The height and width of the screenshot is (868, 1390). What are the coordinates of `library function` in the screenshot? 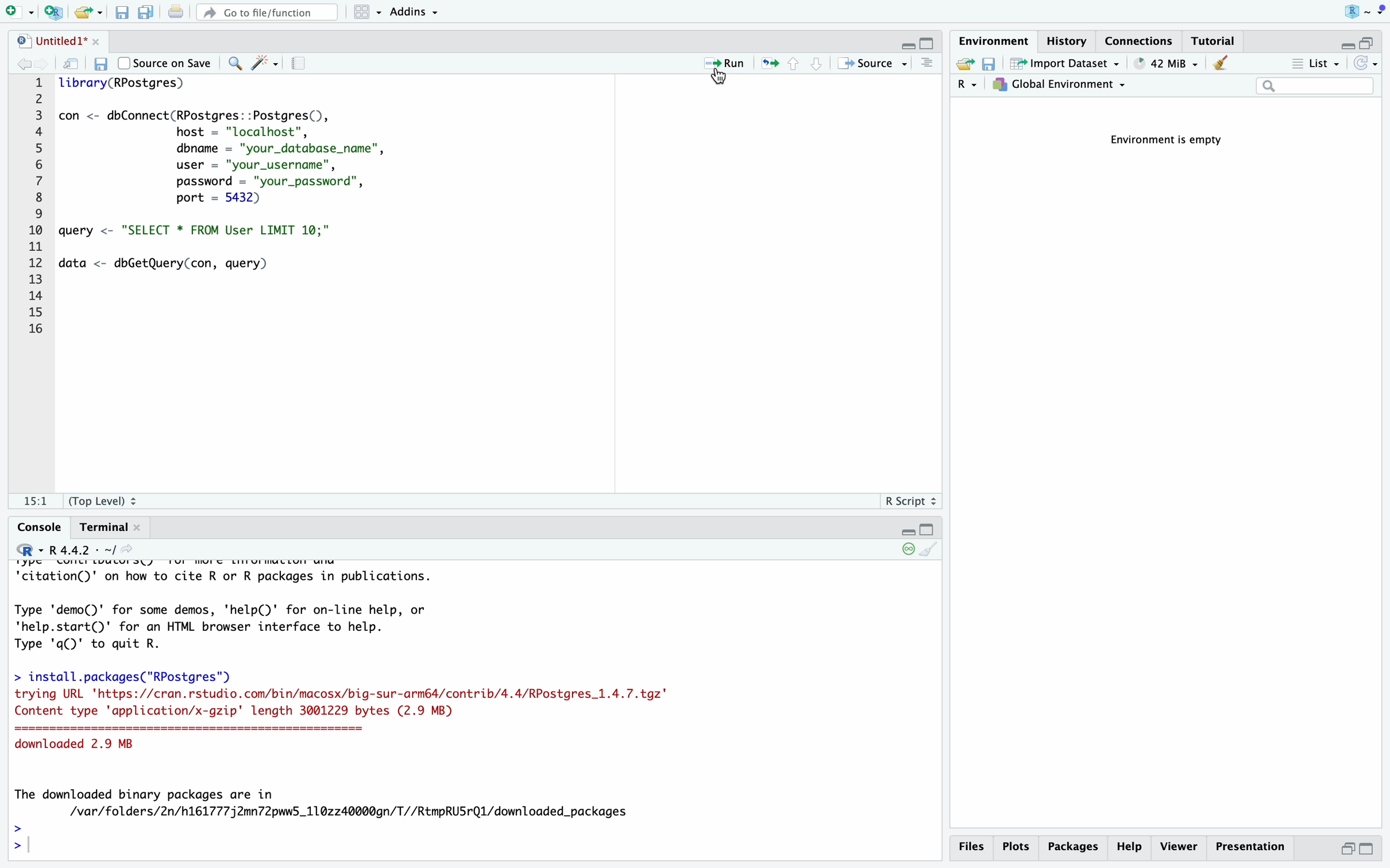 It's located at (125, 86).